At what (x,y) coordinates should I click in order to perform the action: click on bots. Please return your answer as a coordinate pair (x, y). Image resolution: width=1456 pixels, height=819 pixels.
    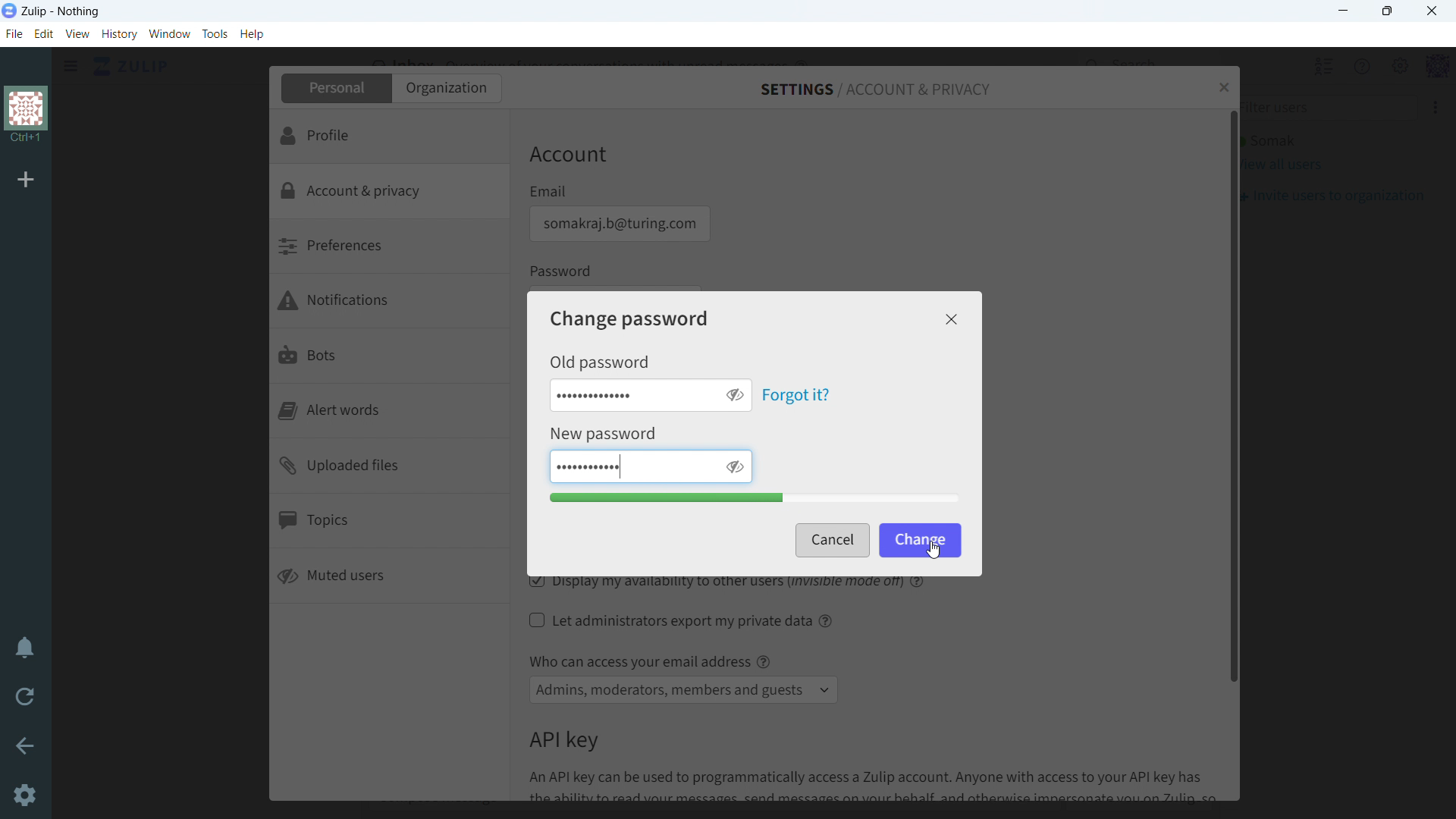
    Looking at the image, I should click on (391, 358).